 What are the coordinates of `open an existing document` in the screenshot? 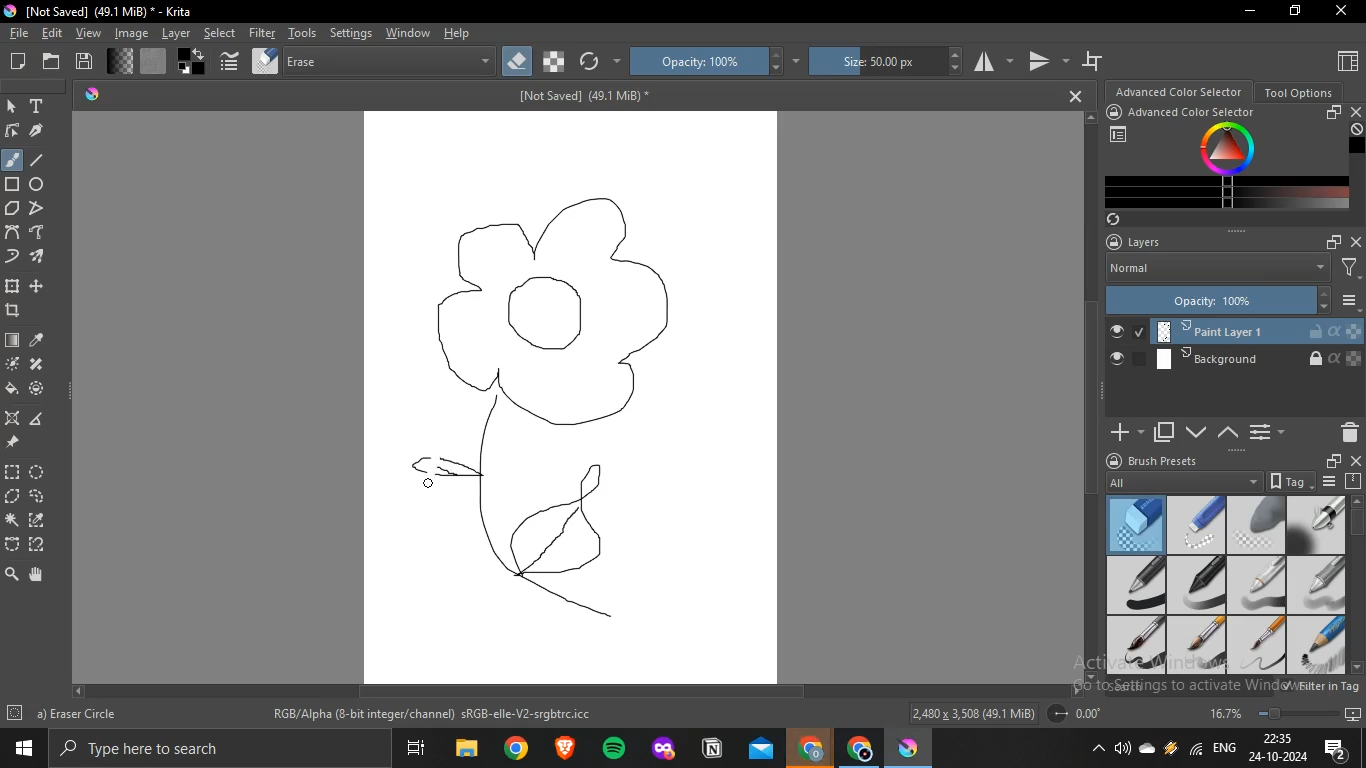 It's located at (54, 61).